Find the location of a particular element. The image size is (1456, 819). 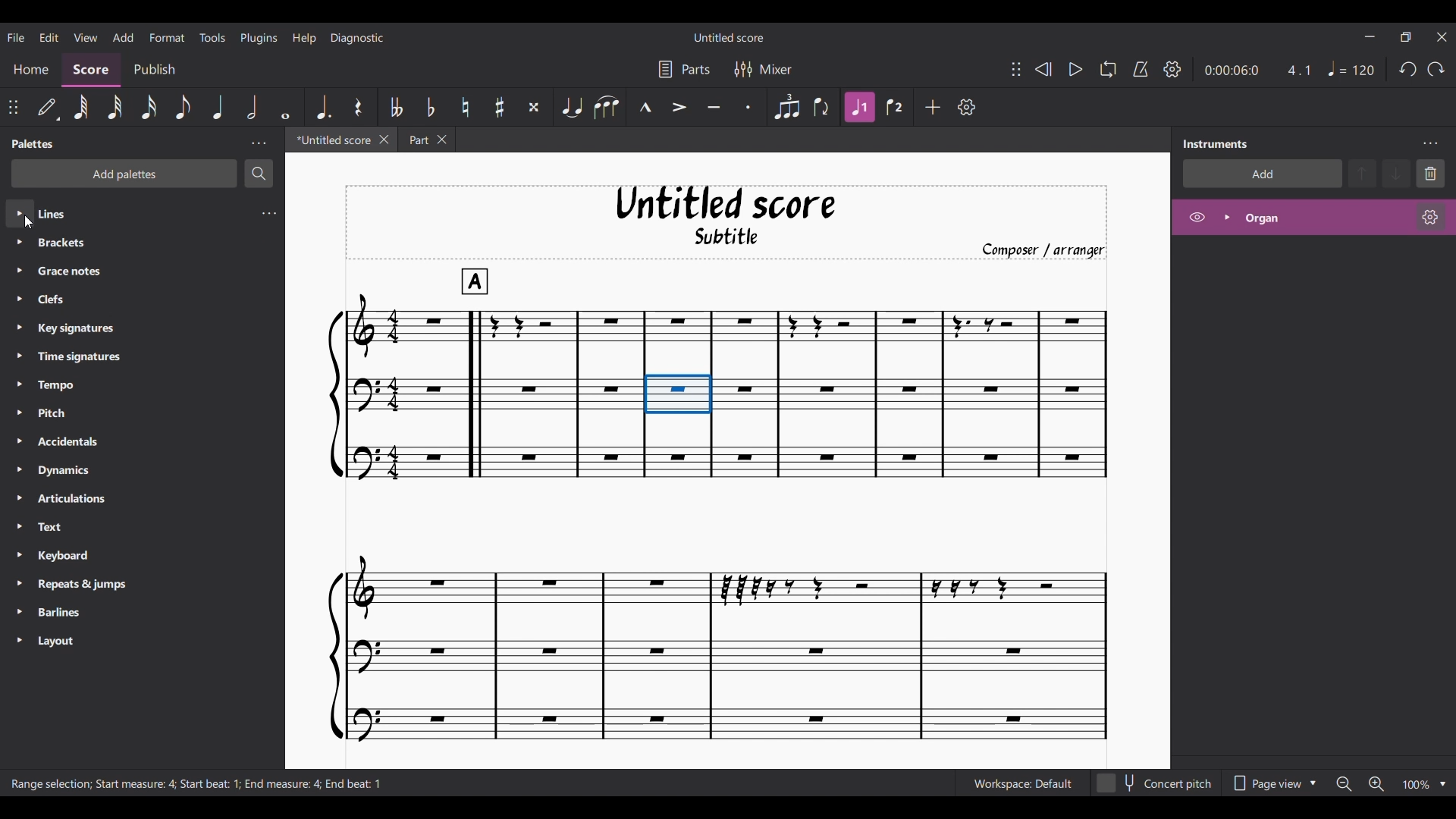

Toggle sharp is located at coordinates (499, 107).